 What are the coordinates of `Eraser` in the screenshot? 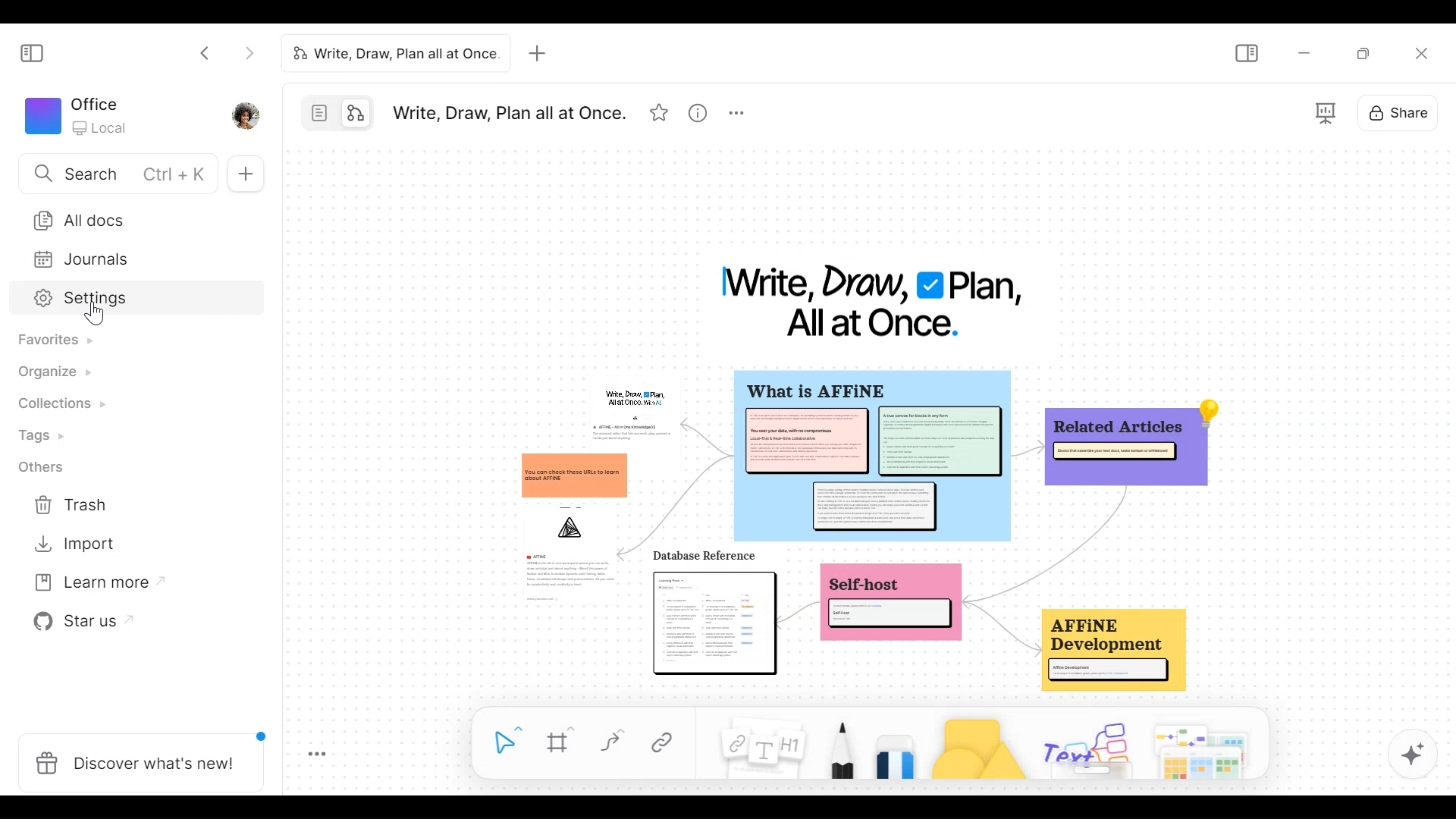 It's located at (899, 759).